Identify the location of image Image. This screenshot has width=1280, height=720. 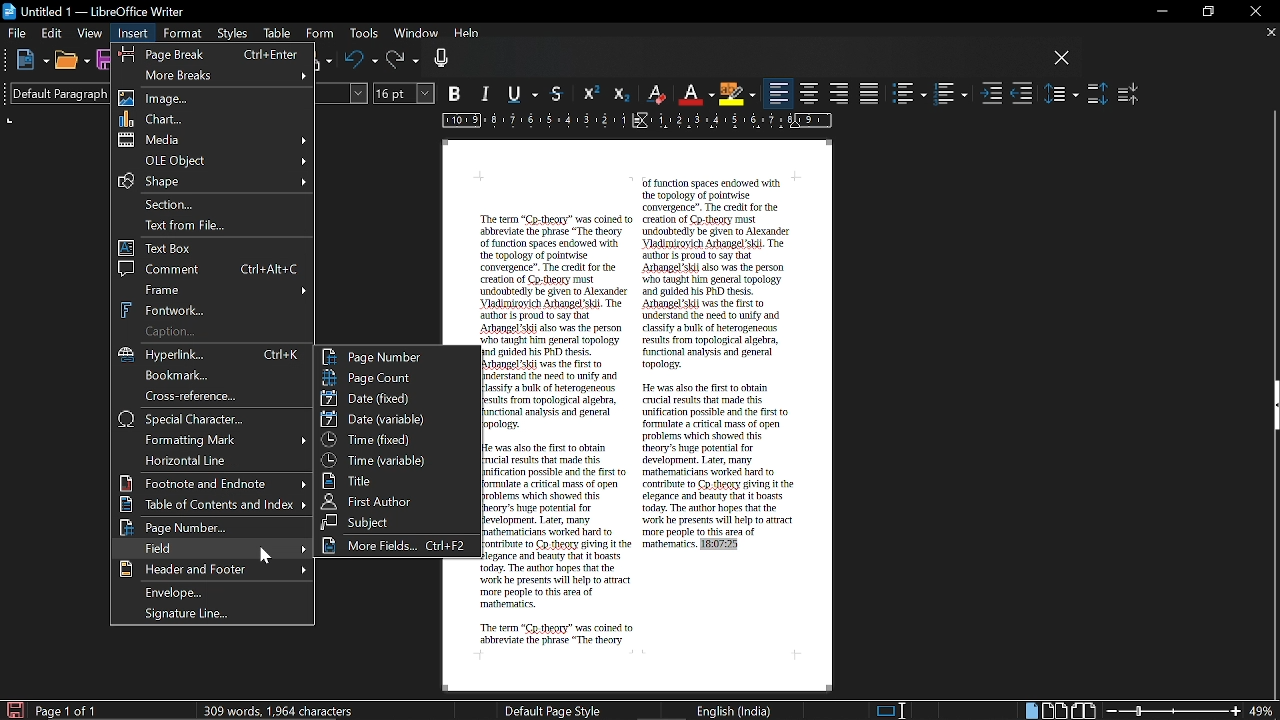
(215, 98).